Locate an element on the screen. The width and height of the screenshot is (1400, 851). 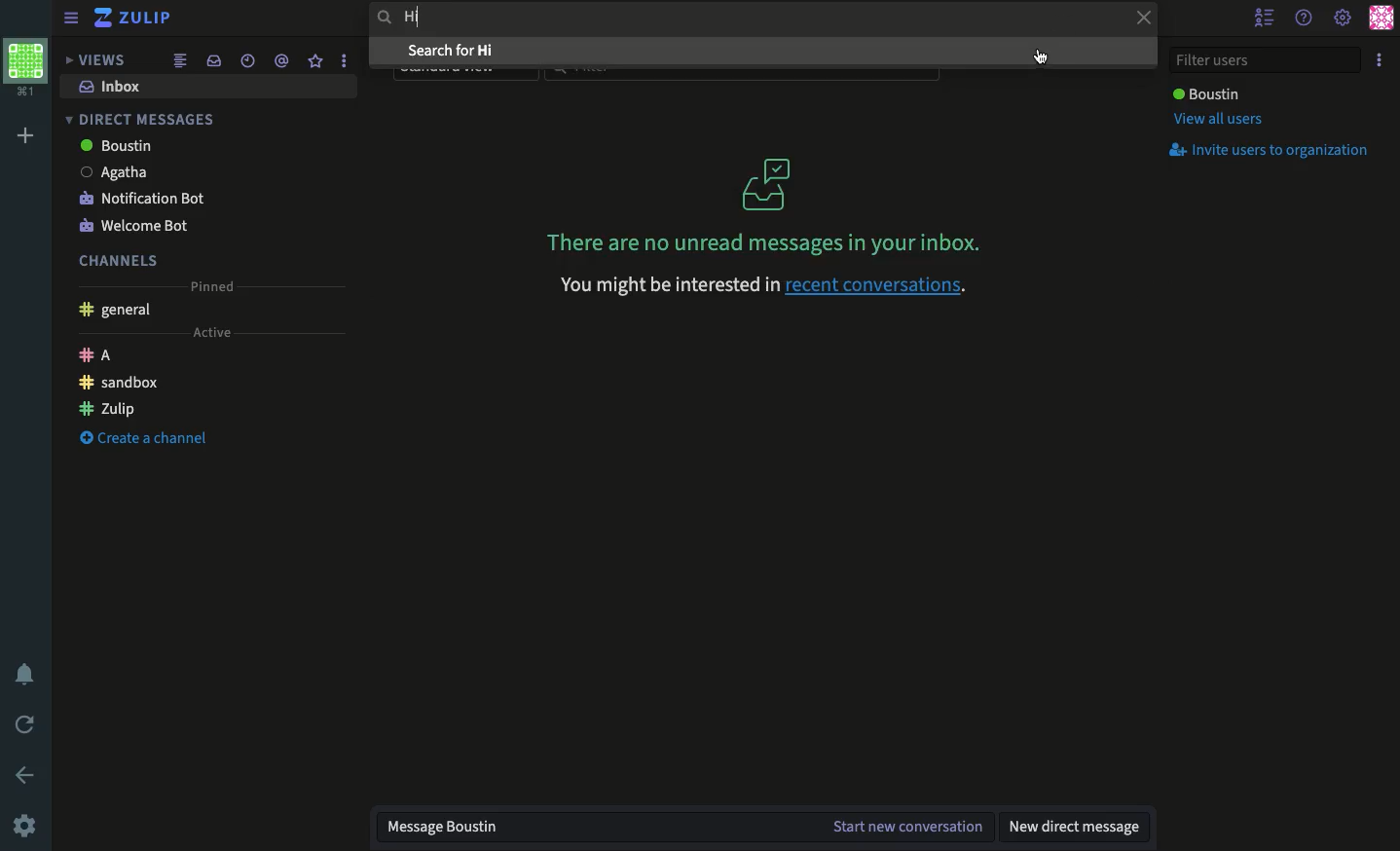
Notification is located at coordinates (29, 674).